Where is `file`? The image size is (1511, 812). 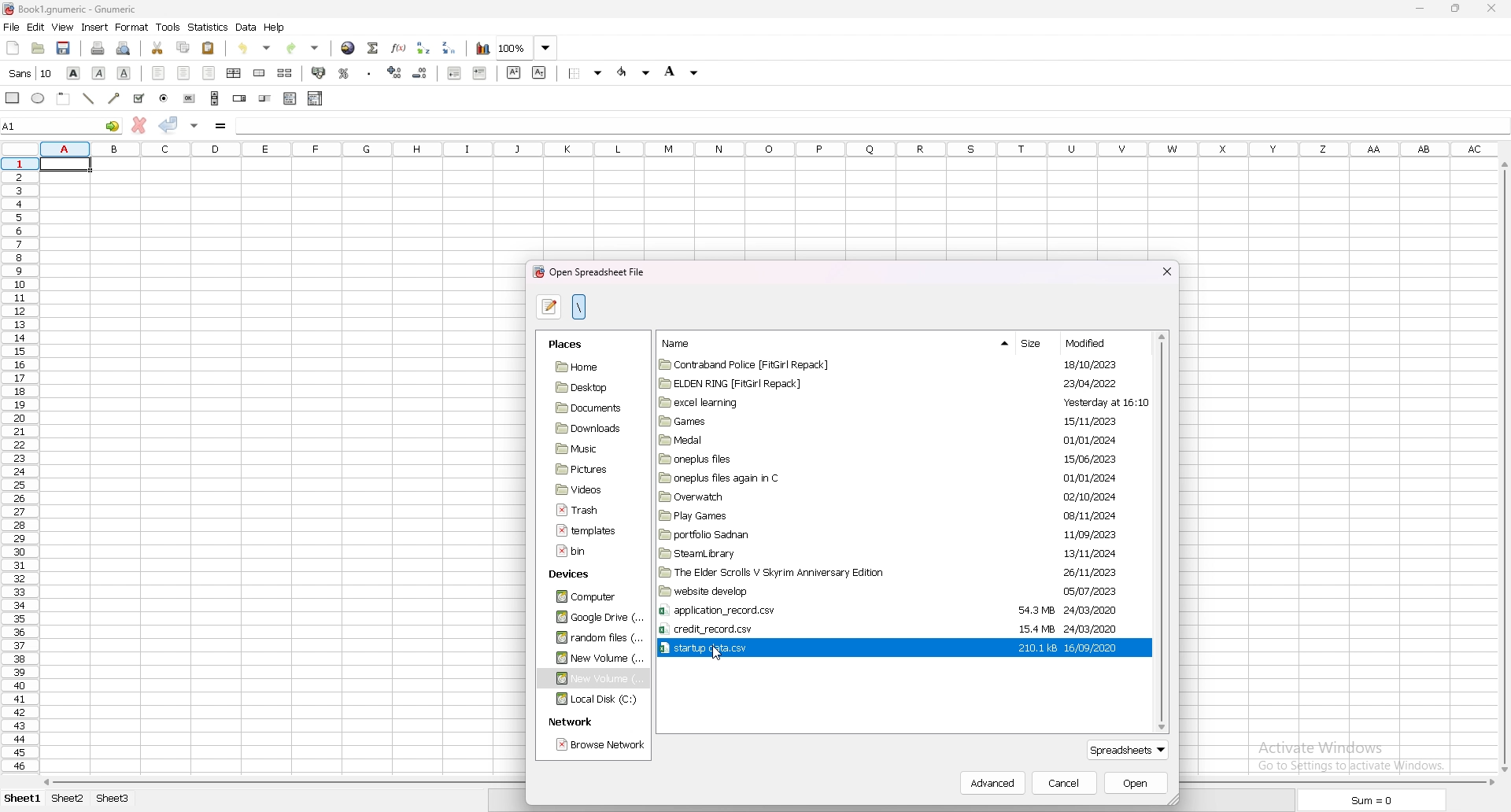 file is located at coordinates (585, 511).